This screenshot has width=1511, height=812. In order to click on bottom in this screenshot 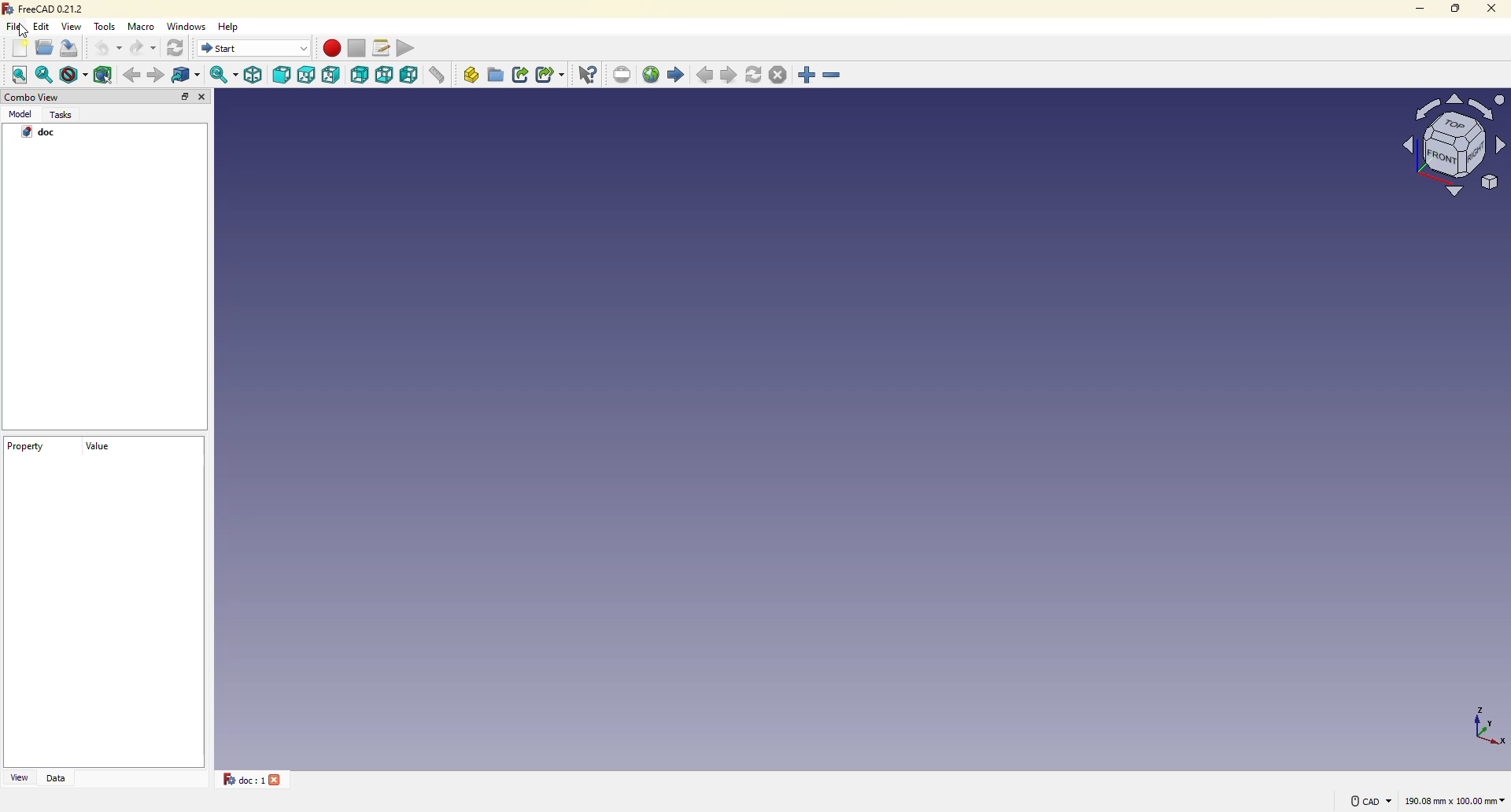, I will do `click(386, 75)`.